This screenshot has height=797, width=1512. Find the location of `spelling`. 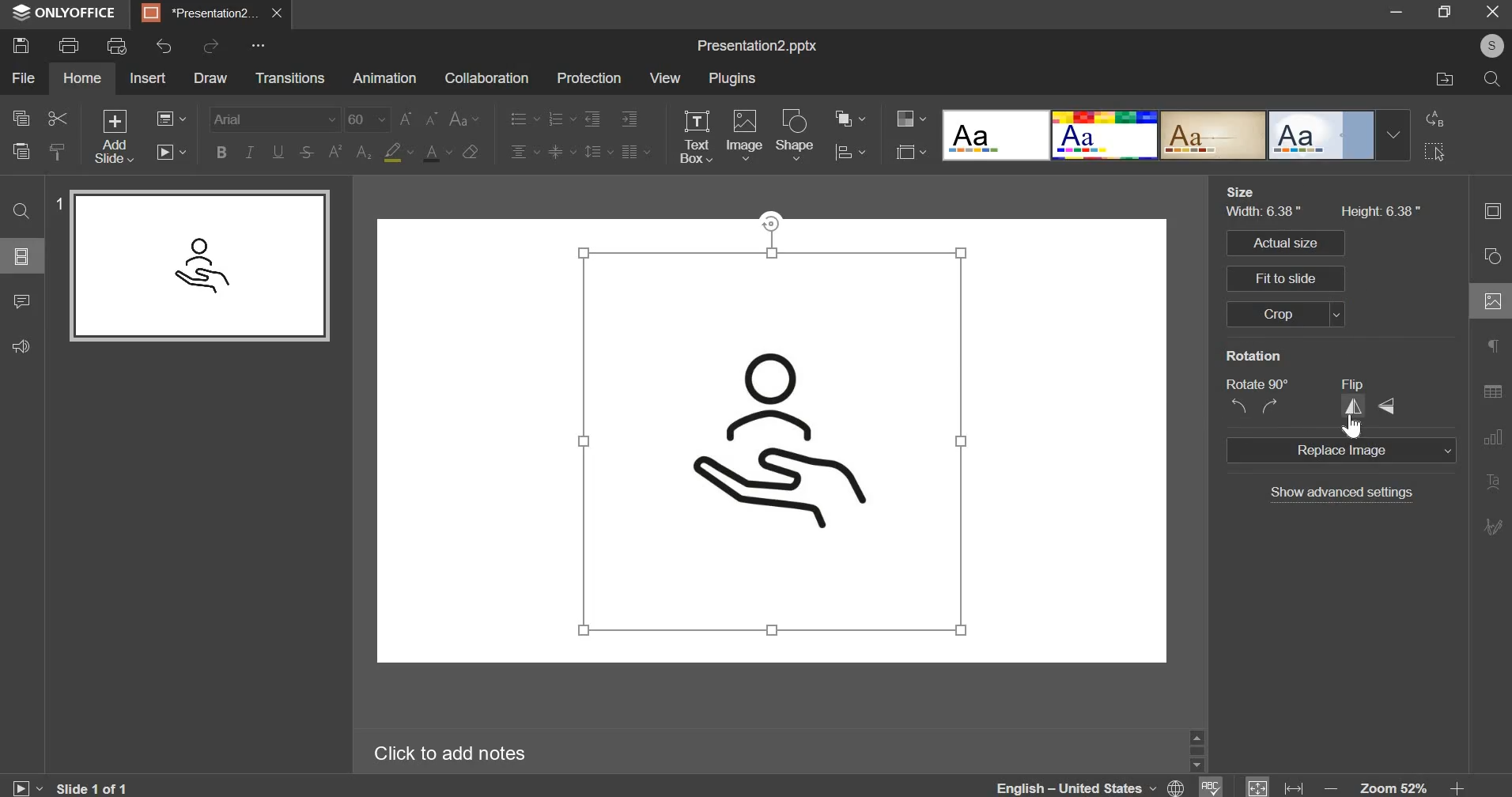

spelling is located at coordinates (1211, 787).